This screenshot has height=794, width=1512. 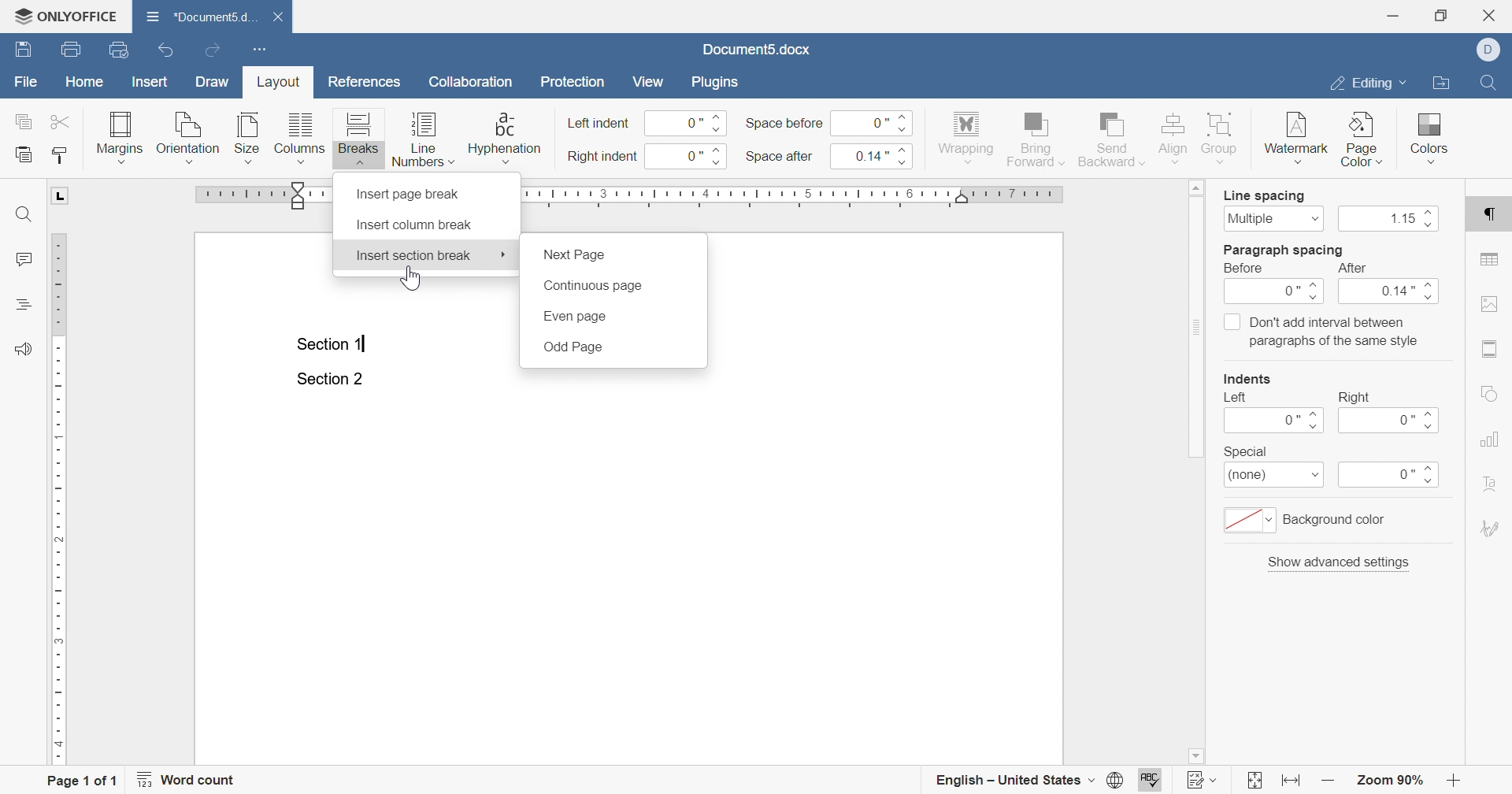 I want to click on cursor, so click(x=409, y=279).